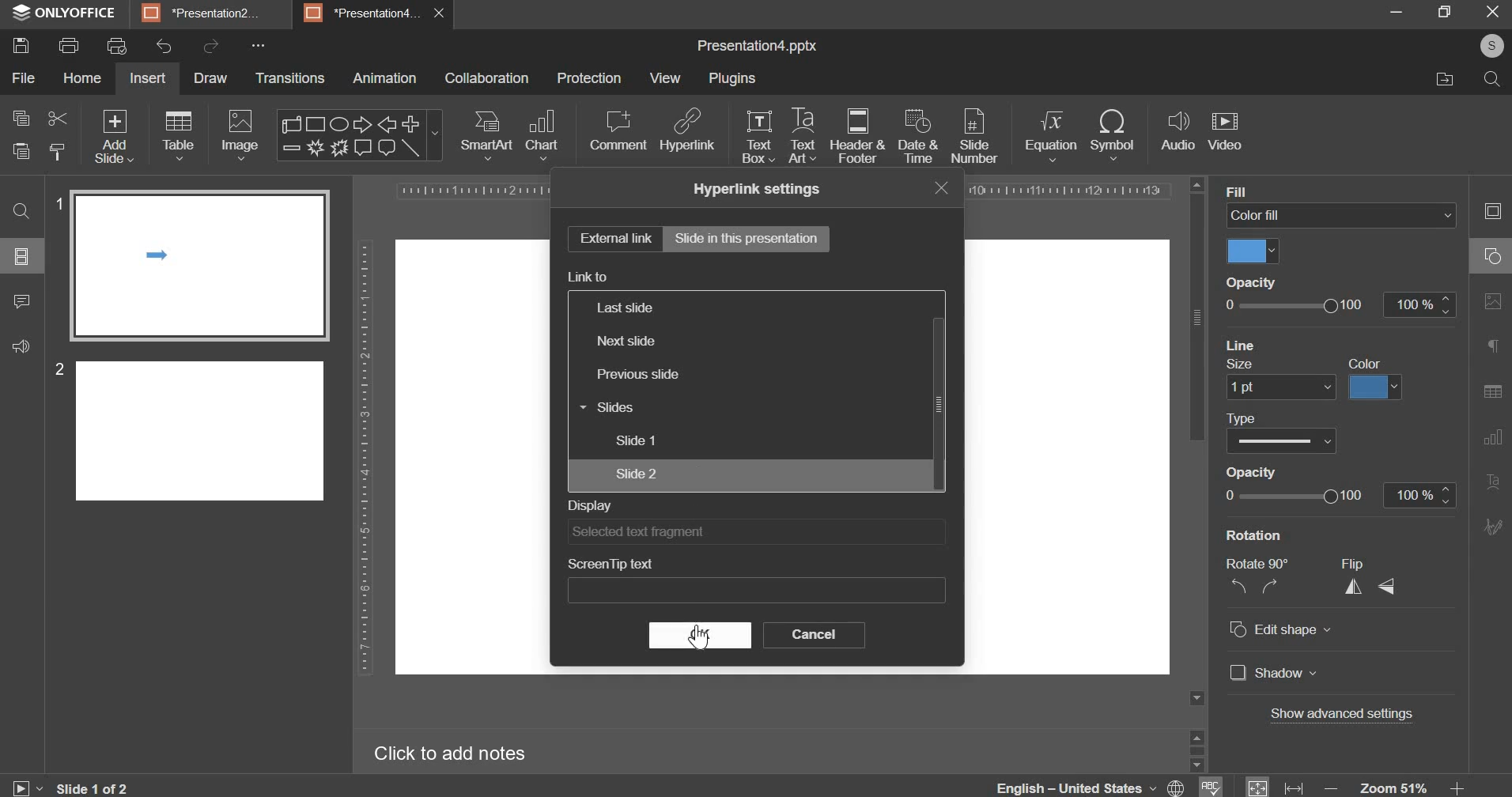  What do you see at coordinates (101, 785) in the screenshot?
I see `Slide 1 of 2` at bounding box center [101, 785].